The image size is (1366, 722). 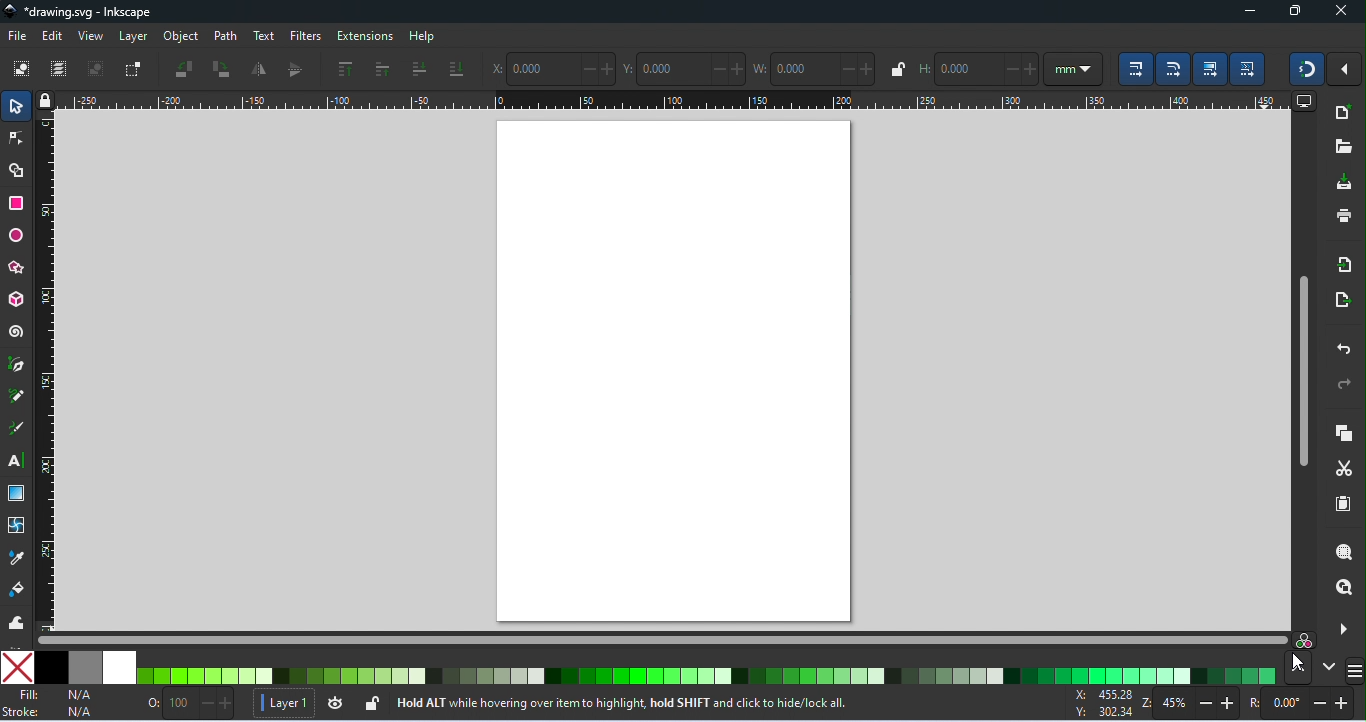 What do you see at coordinates (552, 67) in the screenshot?
I see `horizontal coordinates` at bounding box center [552, 67].